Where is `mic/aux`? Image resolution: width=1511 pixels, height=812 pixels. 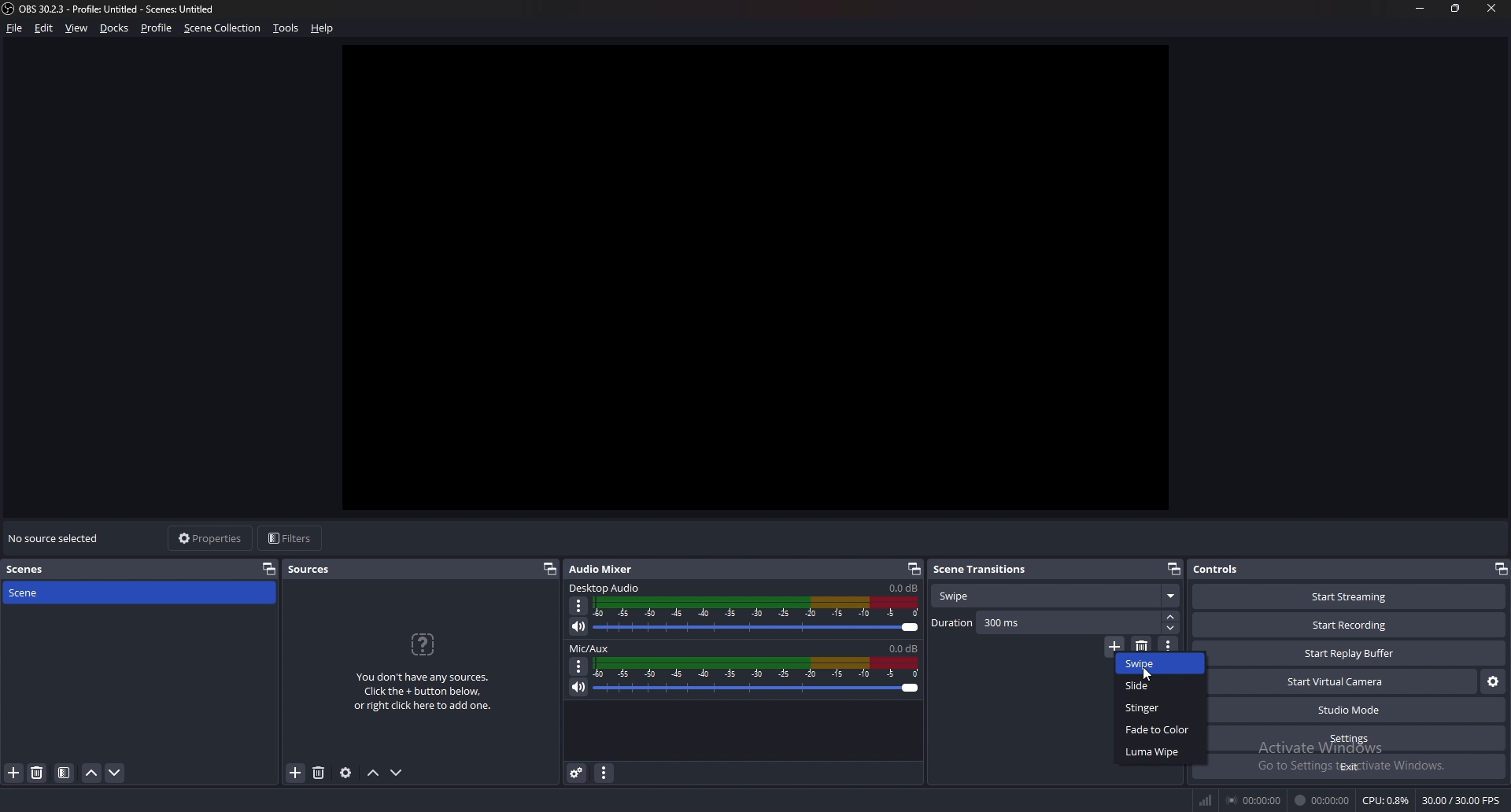
mic/aux is located at coordinates (593, 647).